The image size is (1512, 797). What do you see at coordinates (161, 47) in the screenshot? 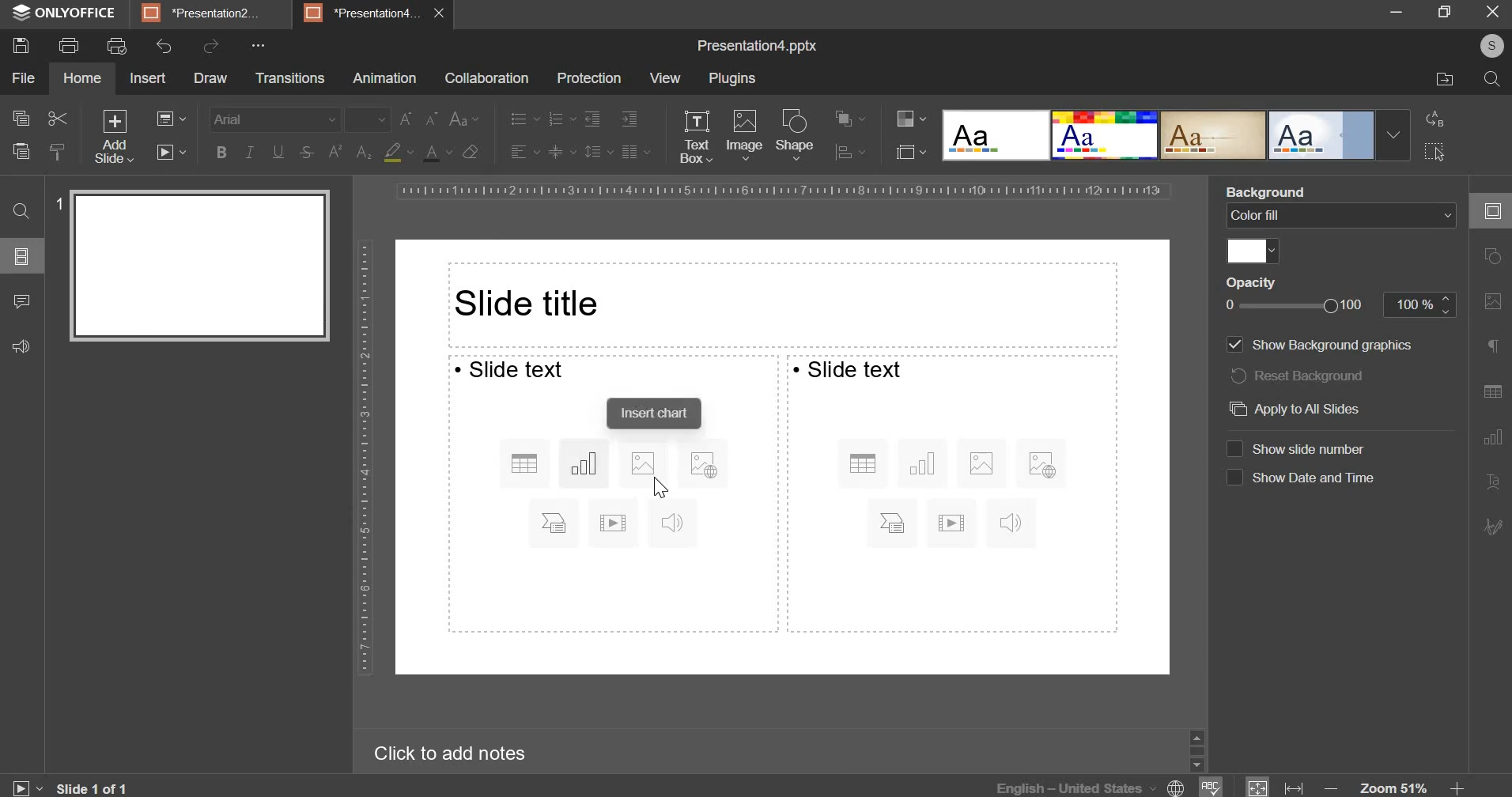
I see `undo` at bounding box center [161, 47].